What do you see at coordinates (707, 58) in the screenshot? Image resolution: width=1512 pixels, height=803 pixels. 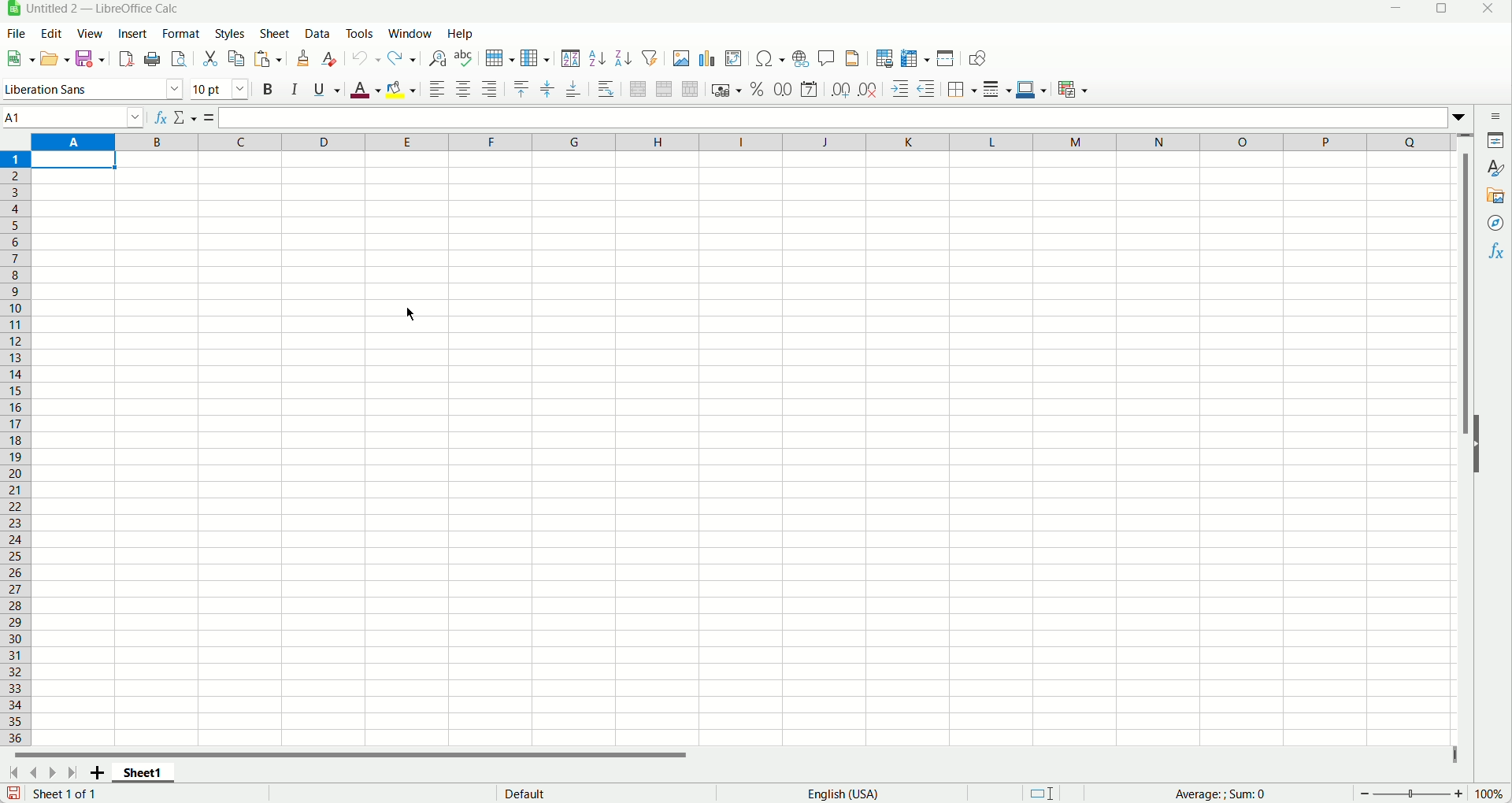 I see `Insert chart` at bounding box center [707, 58].